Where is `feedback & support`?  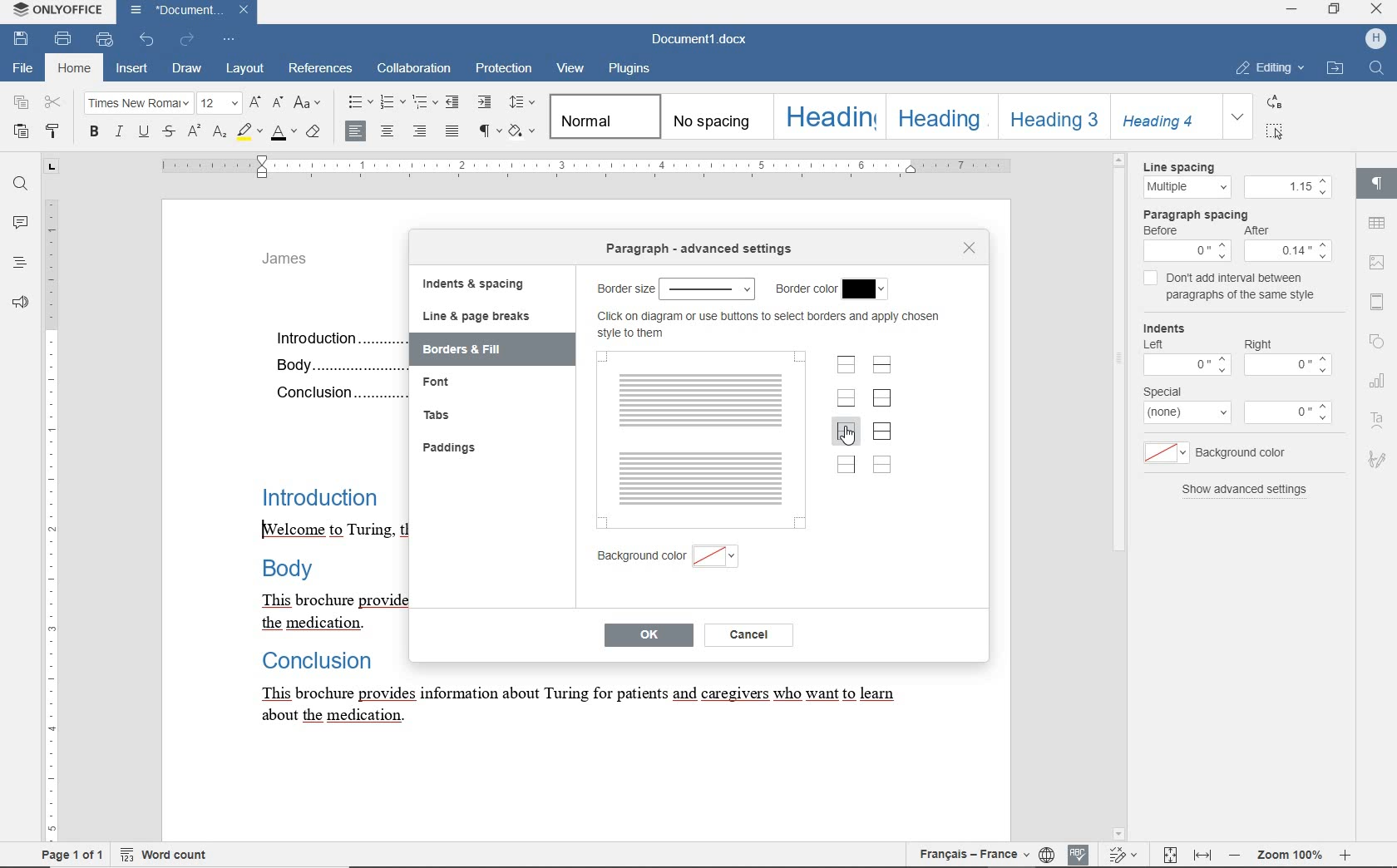 feedback & support is located at coordinates (21, 303).